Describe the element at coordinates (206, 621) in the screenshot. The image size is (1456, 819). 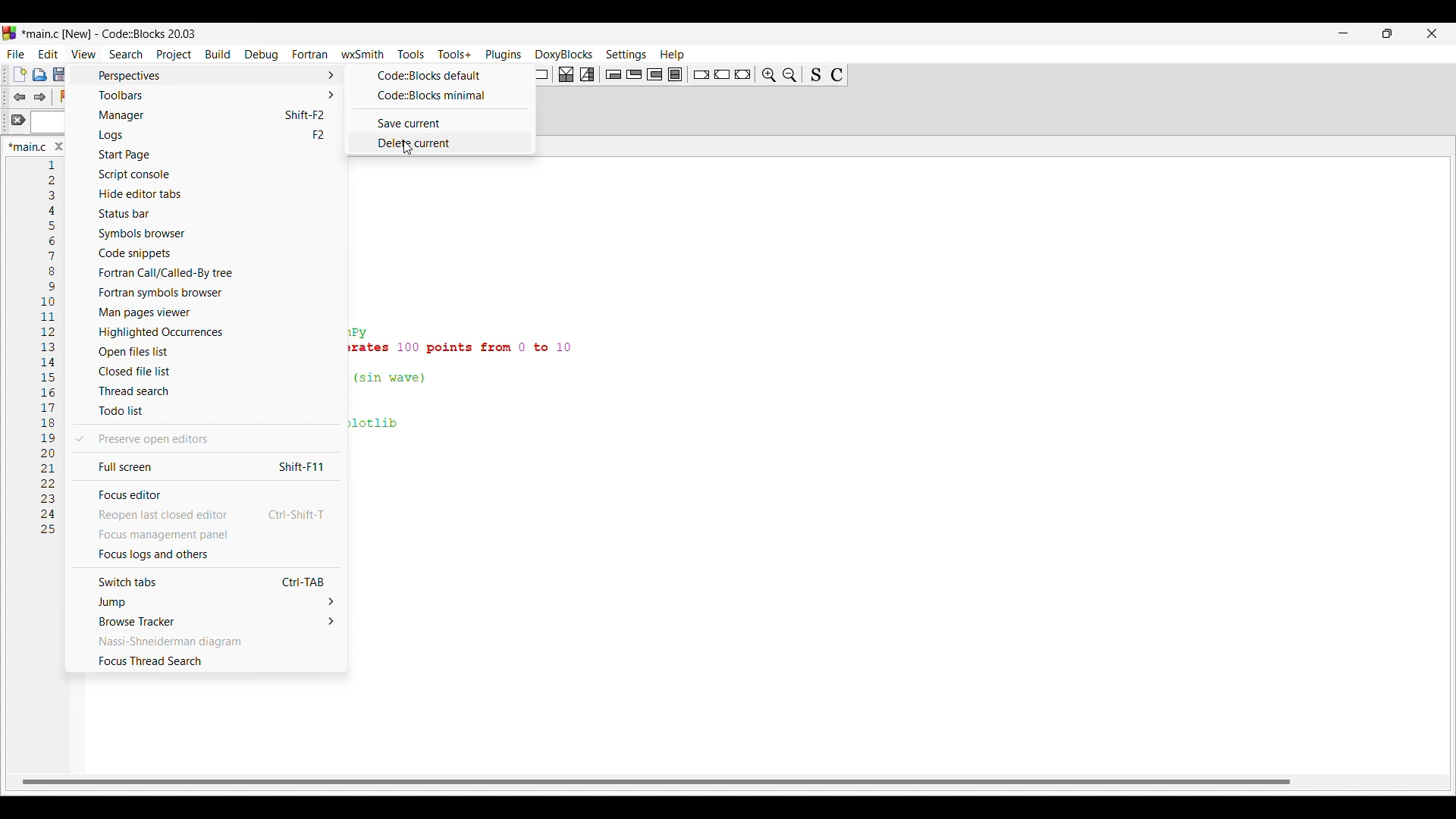
I see `Browse tracker options` at that location.